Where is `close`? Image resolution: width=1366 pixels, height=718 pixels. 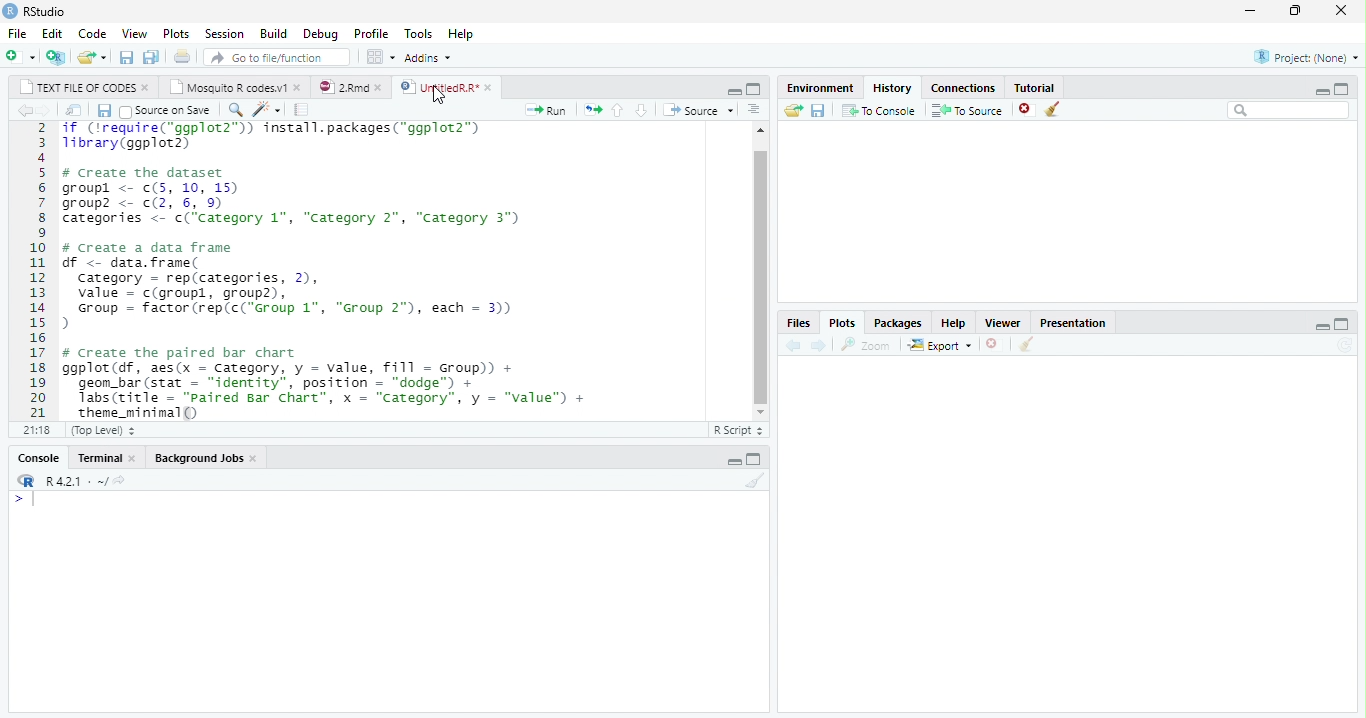 close is located at coordinates (1339, 11).